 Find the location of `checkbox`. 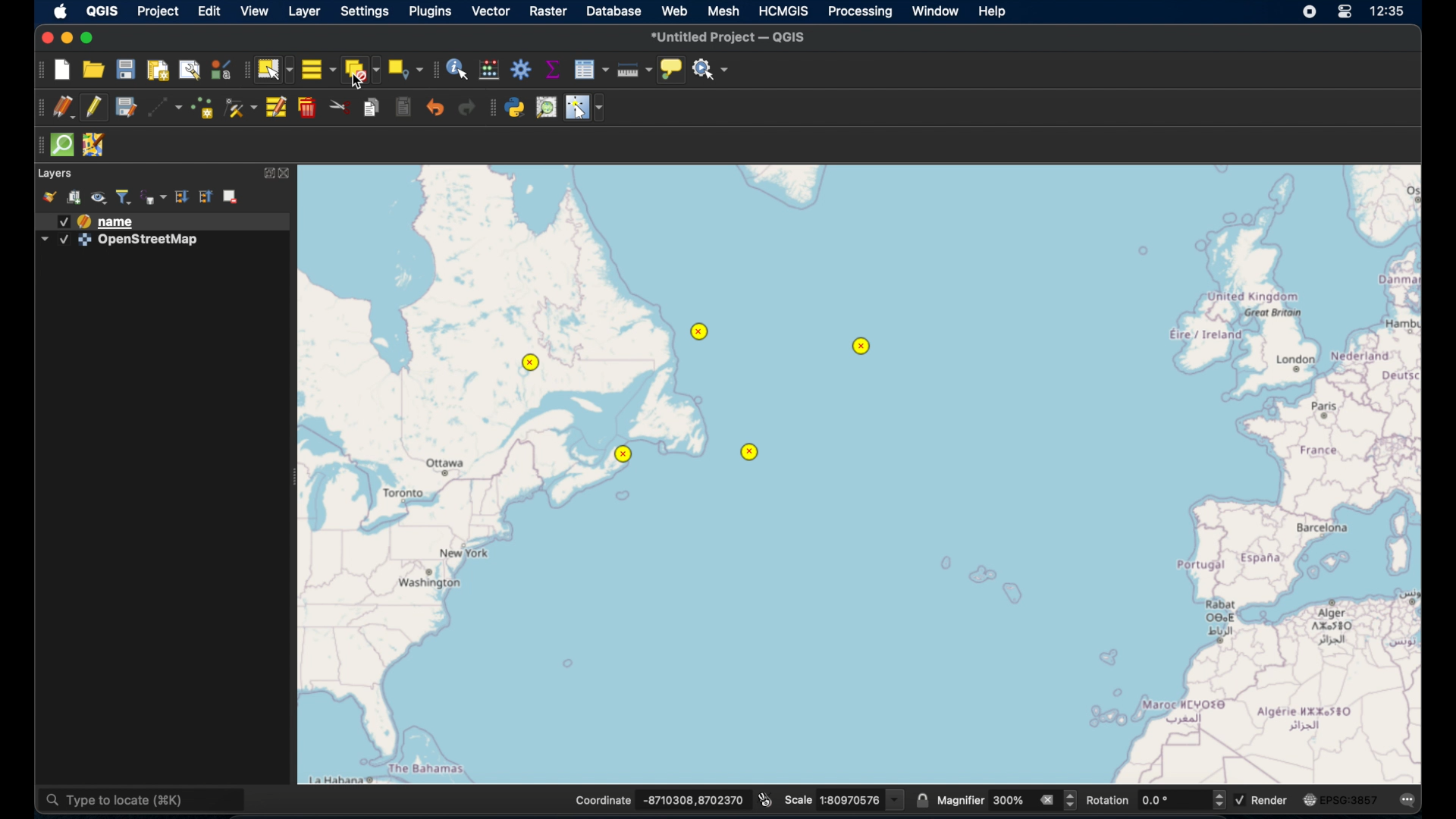

checkbox is located at coordinates (1242, 800).